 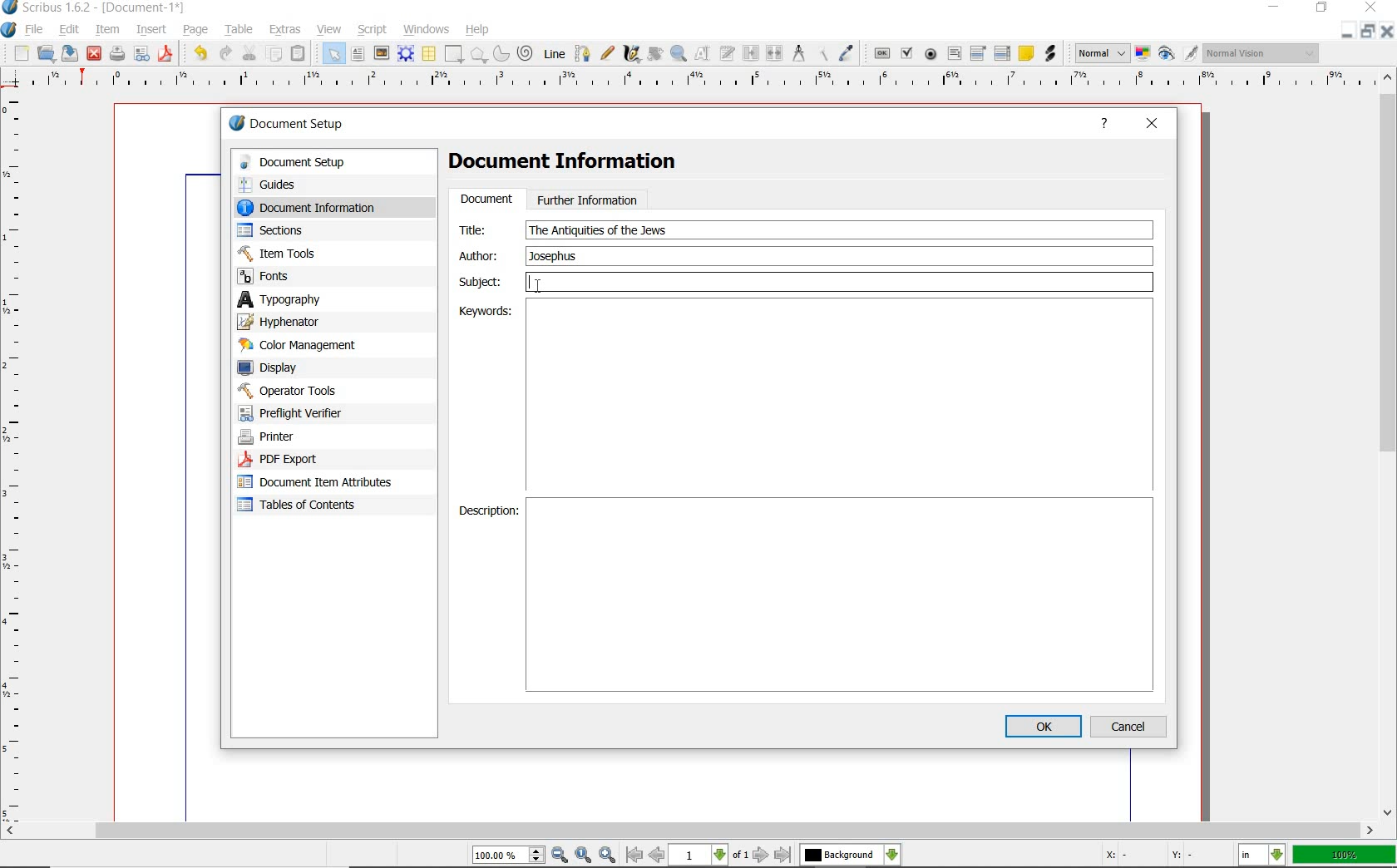 I want to click on Bezier curve, so click(x=582, y=53).